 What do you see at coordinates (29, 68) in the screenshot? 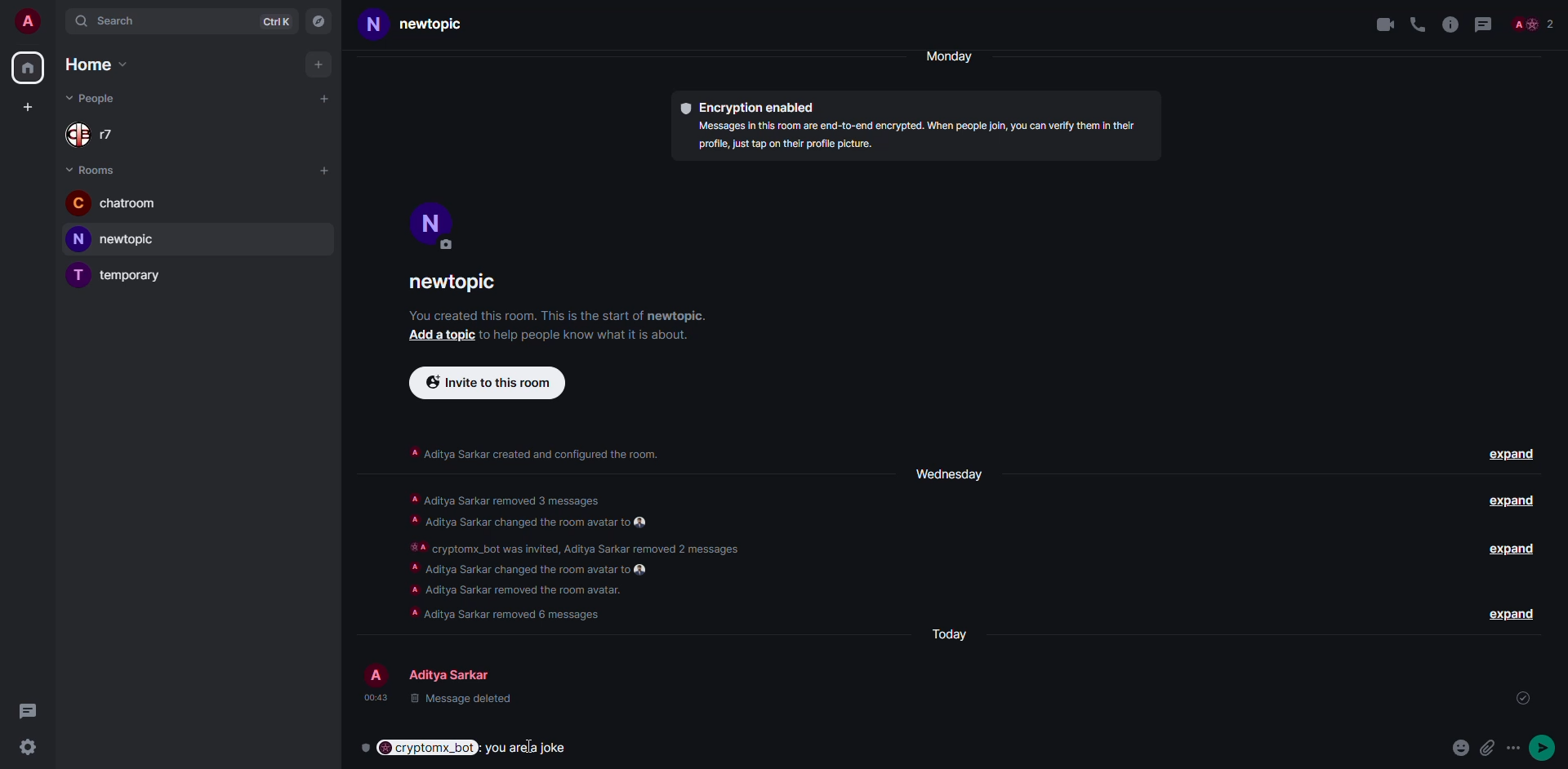
I see `home` at bounding box center [29, 68].